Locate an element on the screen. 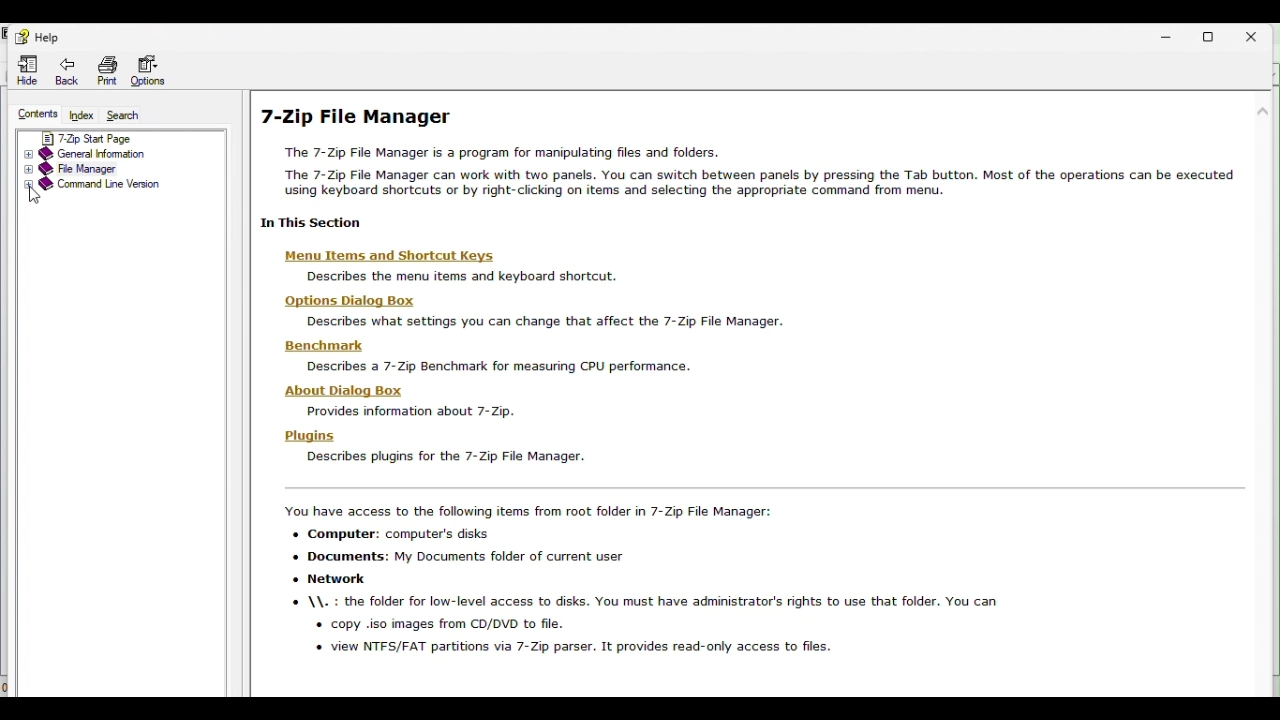  benchmark is located at coordinates (505, 354).